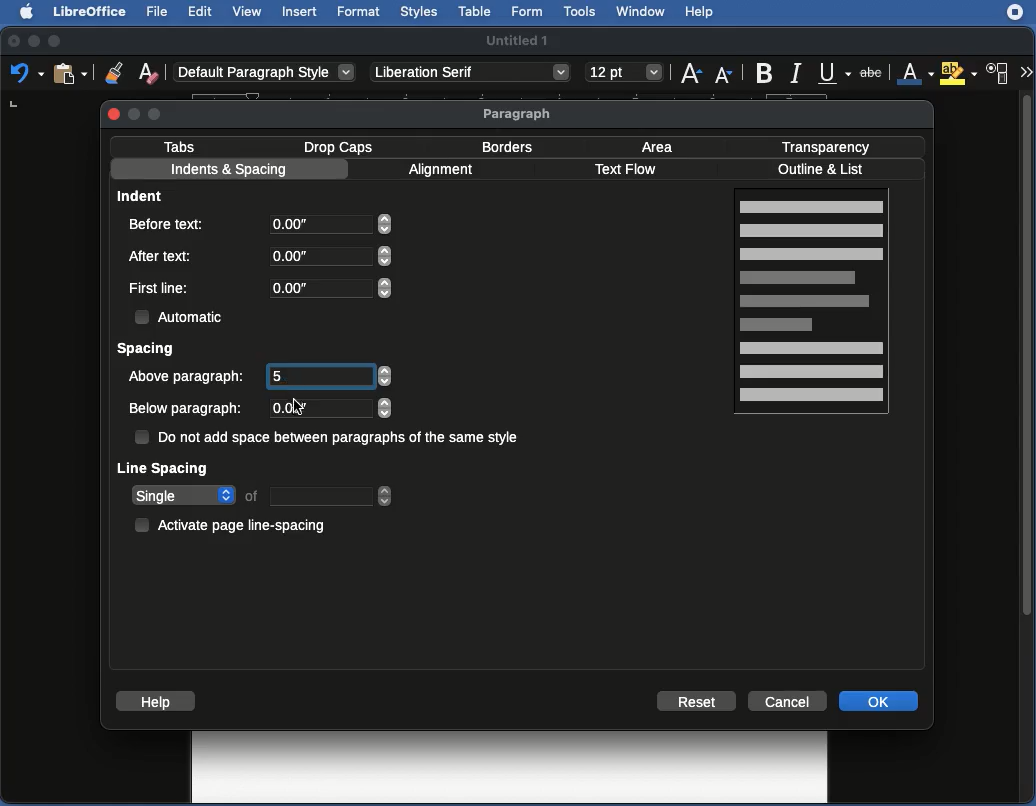 The image size is (1036, 806). What do you see at coordinates (186, 409) in the screenshot?
I see `Below paragraph ` at bounding box center [186, 409].